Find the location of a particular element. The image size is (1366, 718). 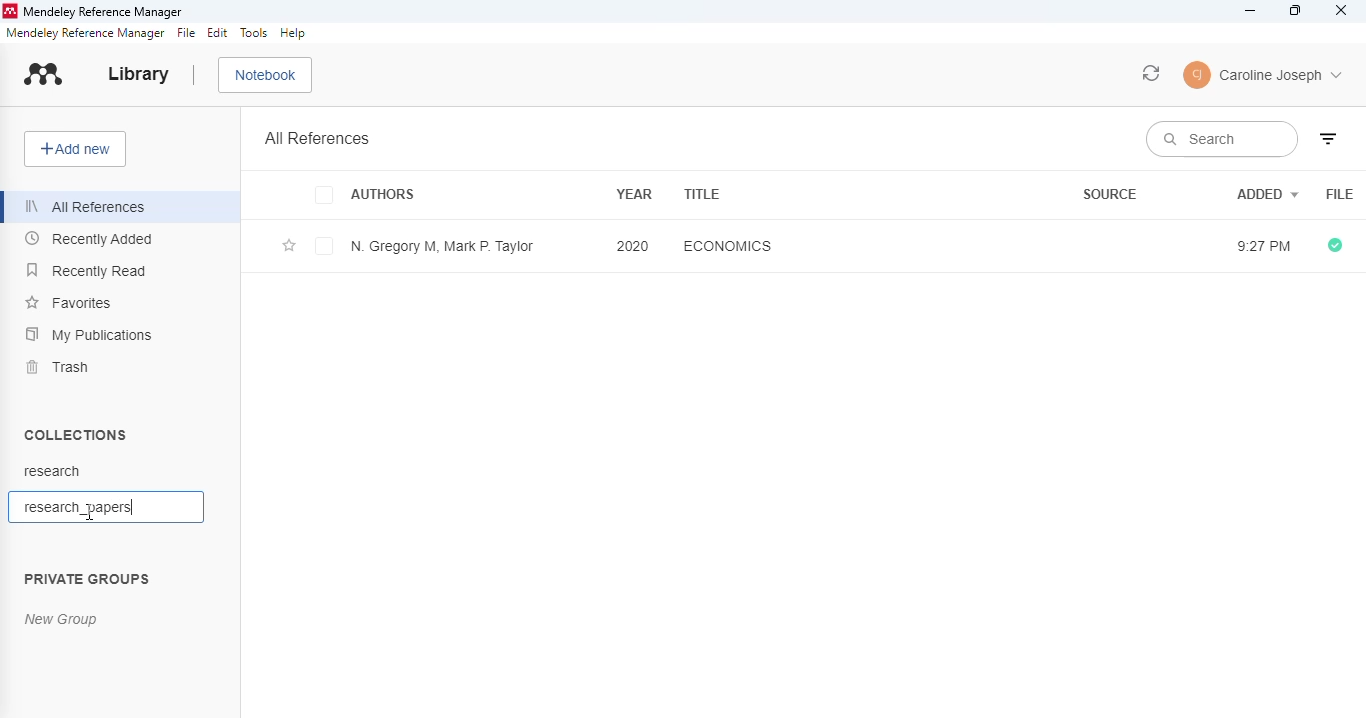

recently read is located at coordinates (87, 270).